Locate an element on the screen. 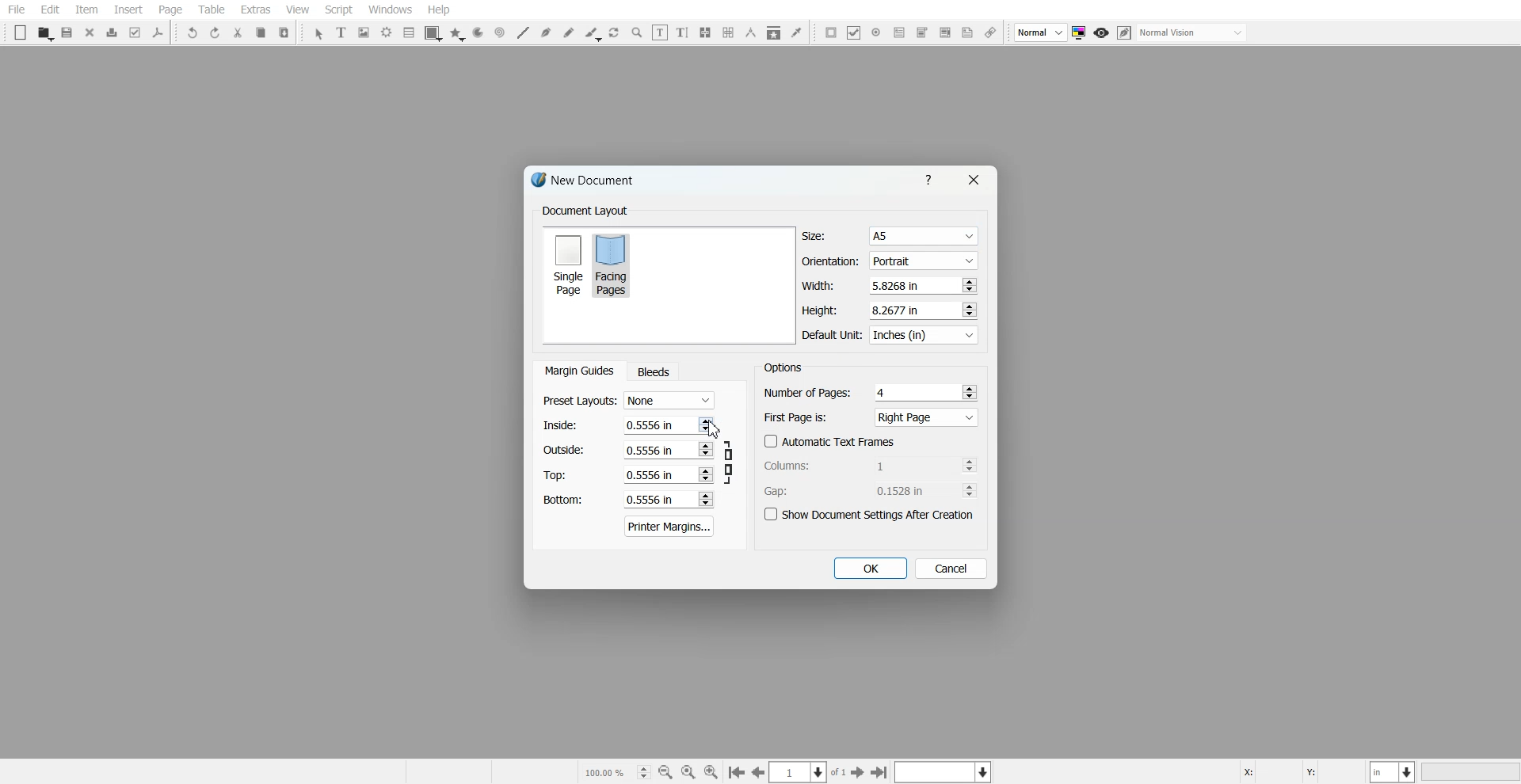 This screenshot has width=1521, height=784. Arc is located at coordinates (478, 33).